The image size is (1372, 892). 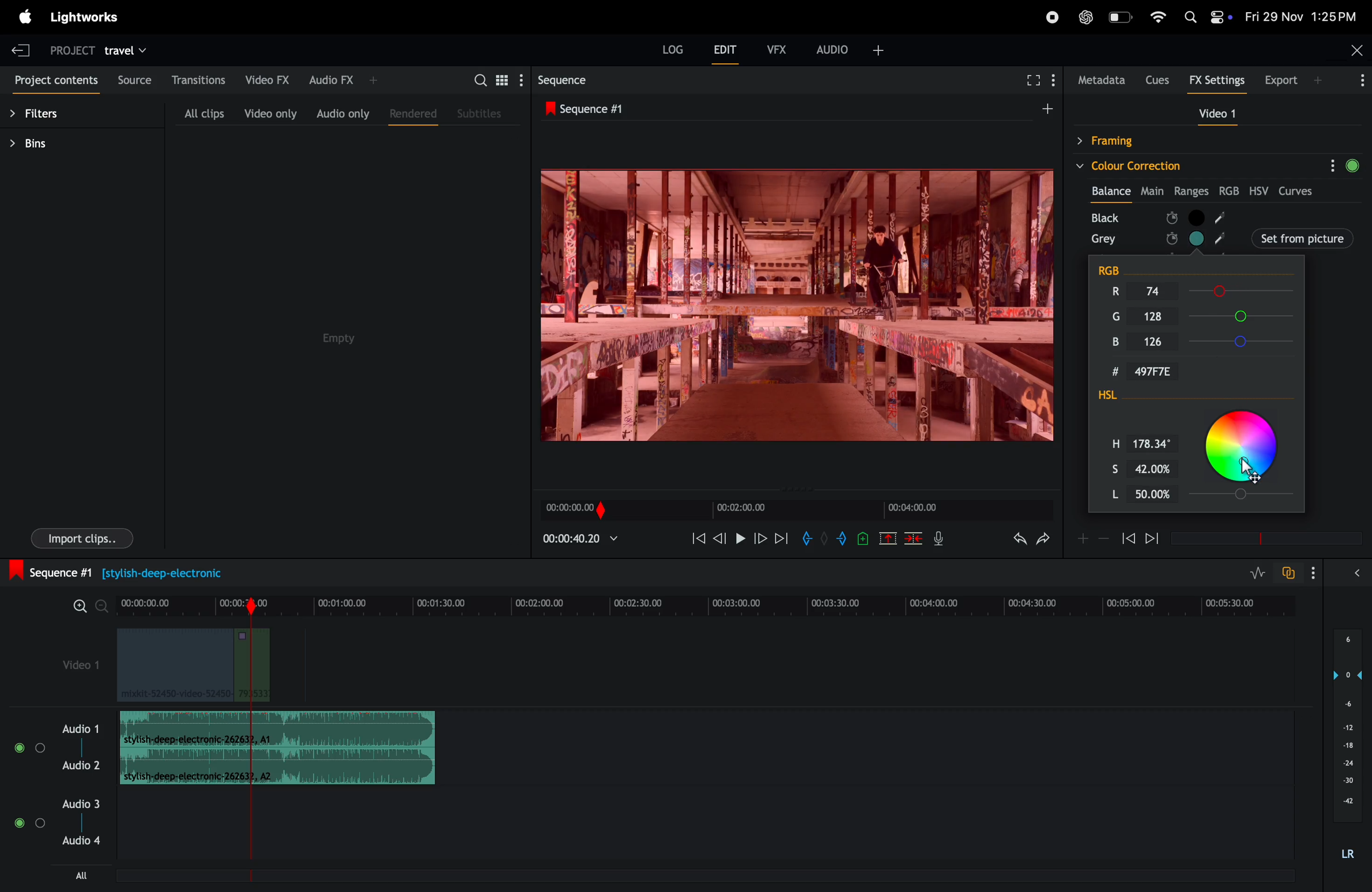 I want to click on nextframe, so click(x=761, y=538).